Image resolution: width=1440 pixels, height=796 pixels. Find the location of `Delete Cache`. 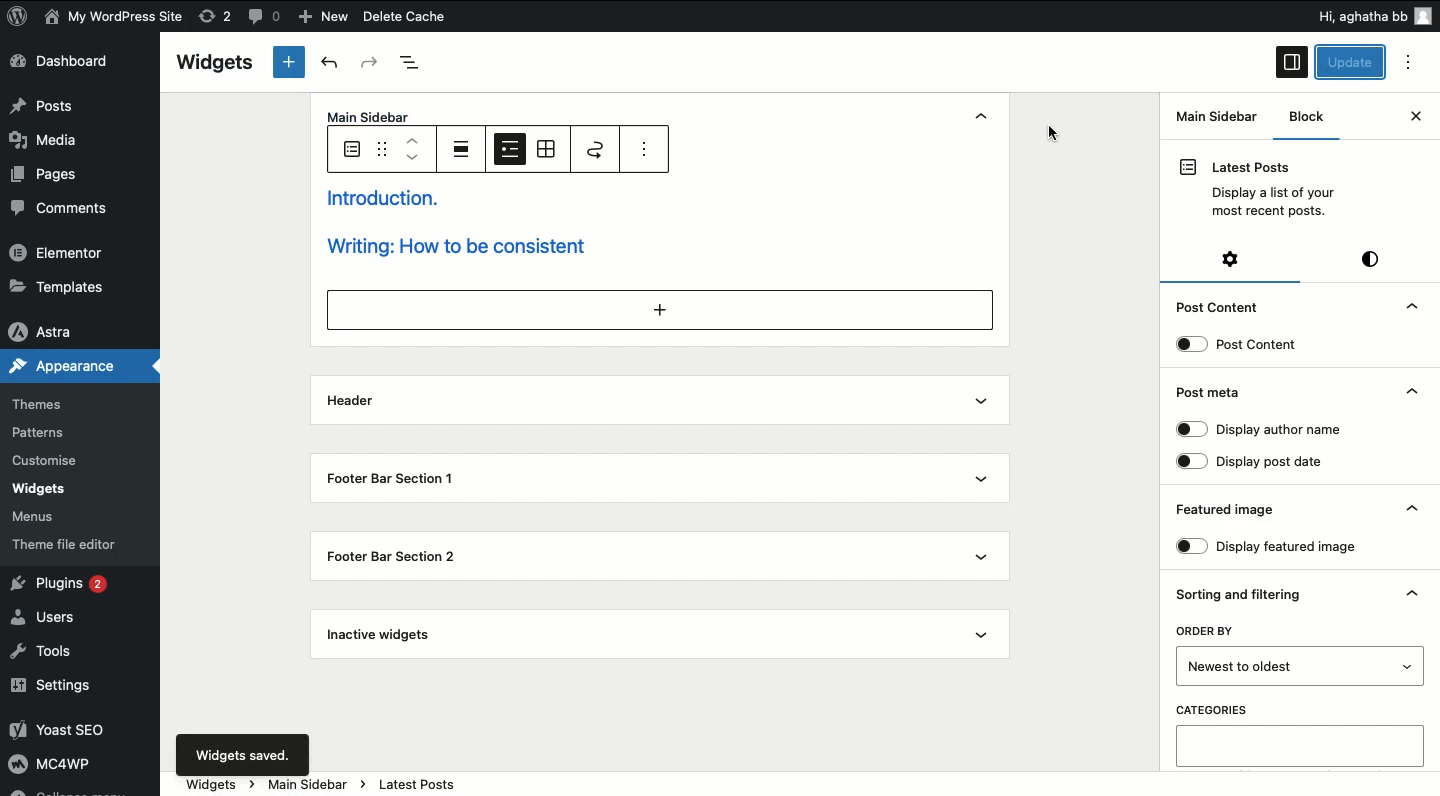

Delete Cache is located at coordinates (441, 14).